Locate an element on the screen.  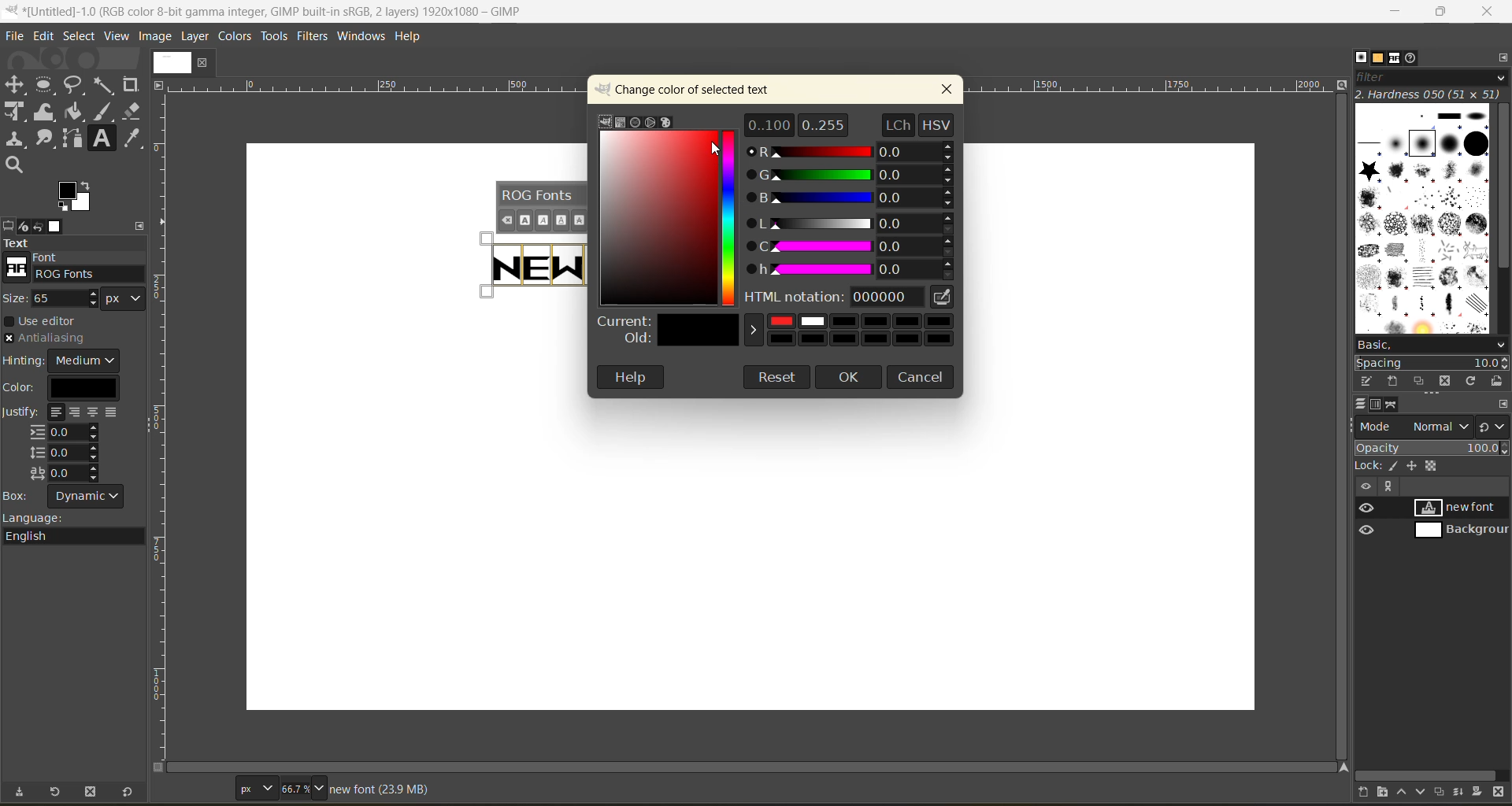
switch to another group of modes is located at coordinates (1495, 427).